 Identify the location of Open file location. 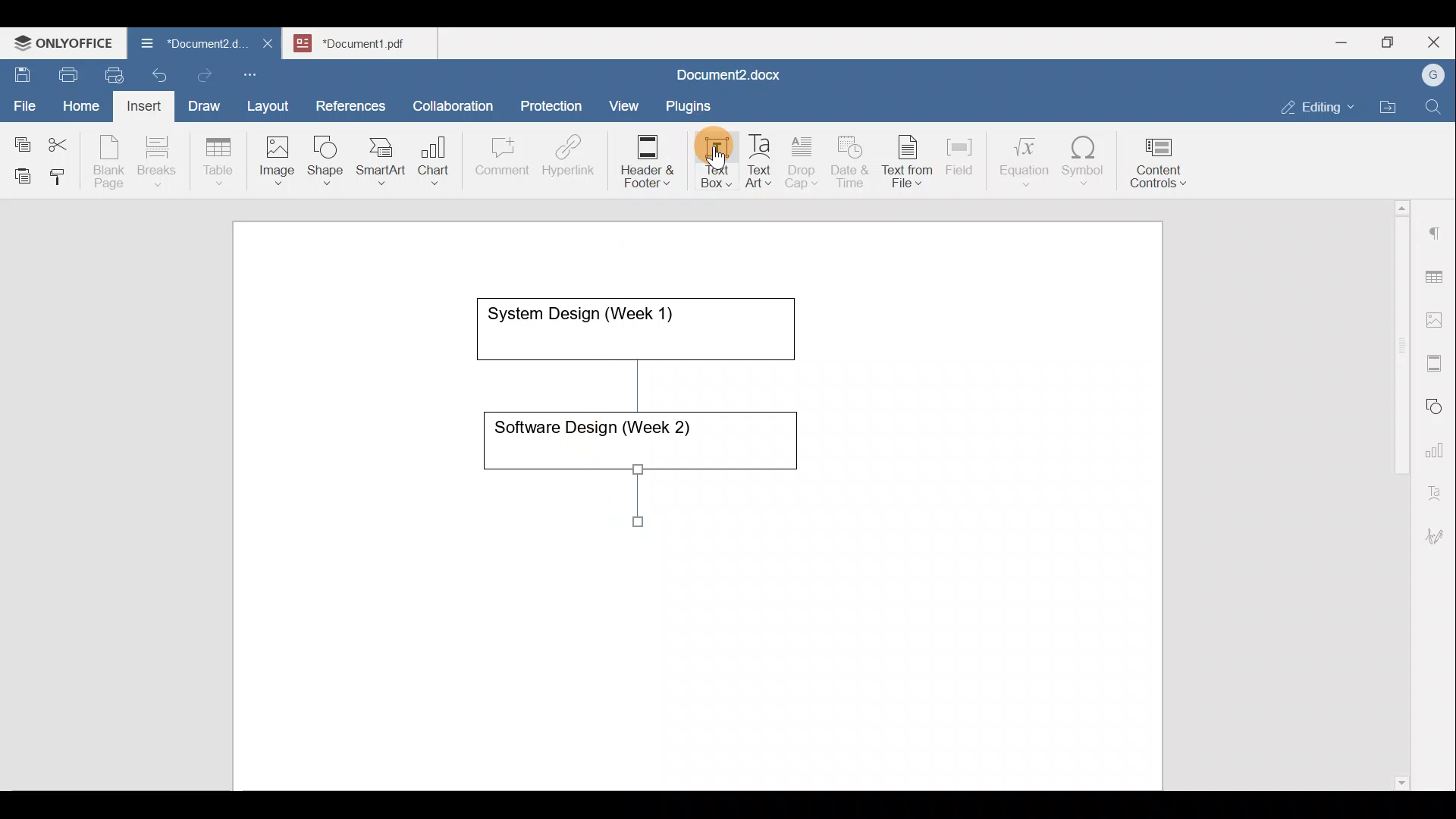
(1392, 108).